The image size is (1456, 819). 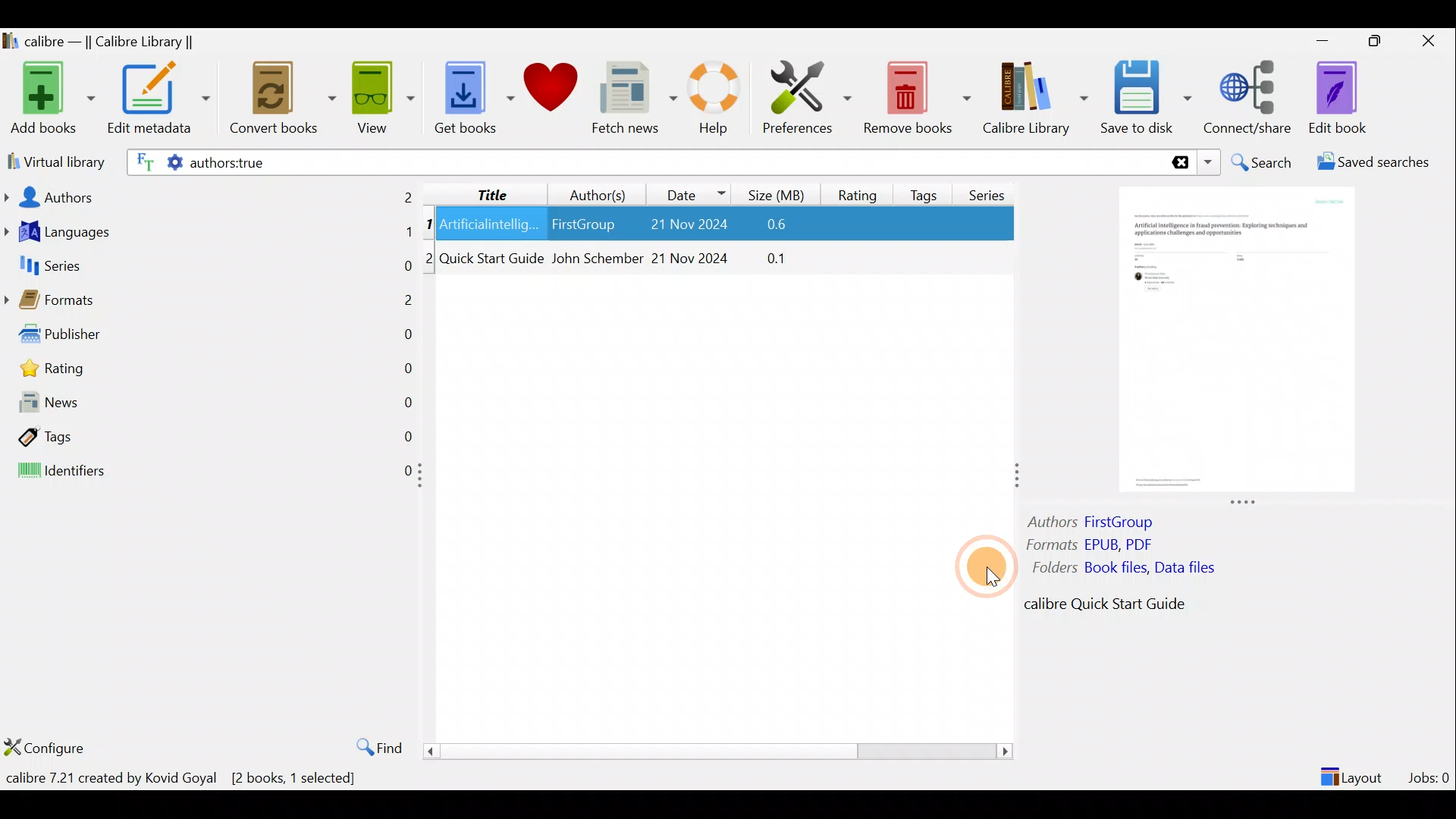 I want to click on Save to disk, so click(x=1146, y=98).